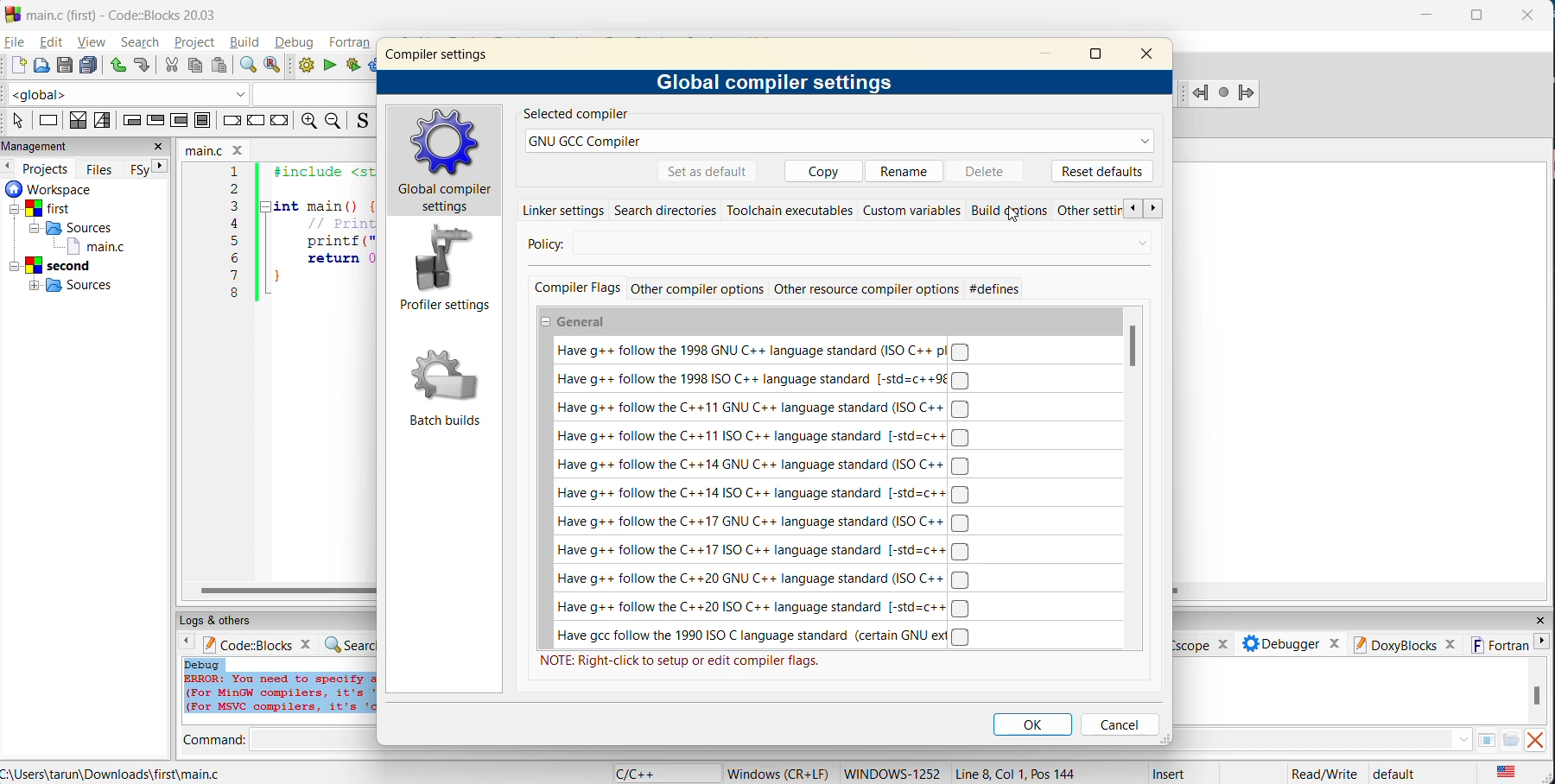  Describe the element at coordinates (116, 15) in the screenshot. I see `main.c (first) - Code::Blocks 20.03` at that location.